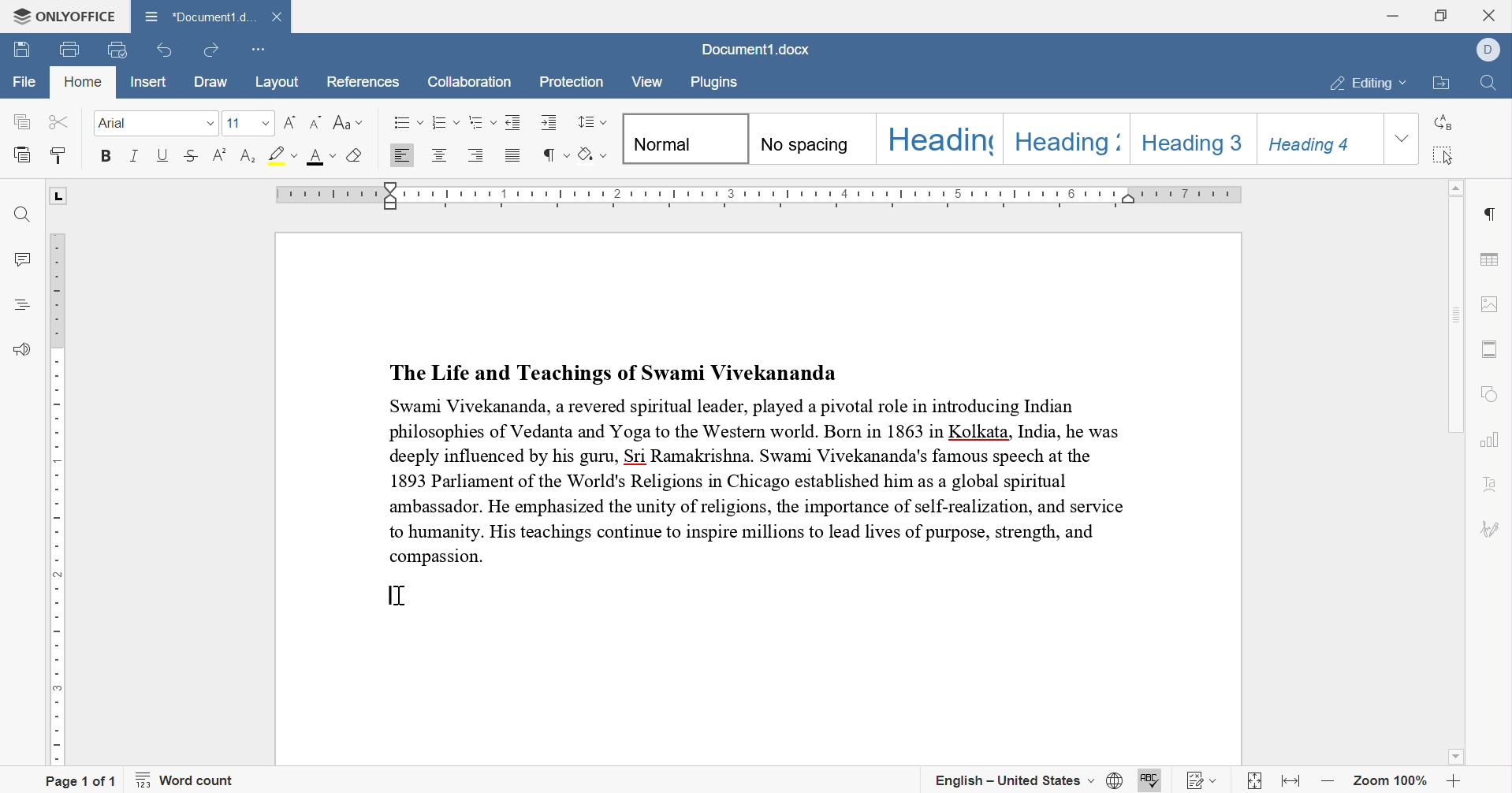 This screenshot has width=1512, height=793. What do you see at coordinates (1491, 488) in the screenshot?
I see `text art settings` at bounding box center [1491, 488].